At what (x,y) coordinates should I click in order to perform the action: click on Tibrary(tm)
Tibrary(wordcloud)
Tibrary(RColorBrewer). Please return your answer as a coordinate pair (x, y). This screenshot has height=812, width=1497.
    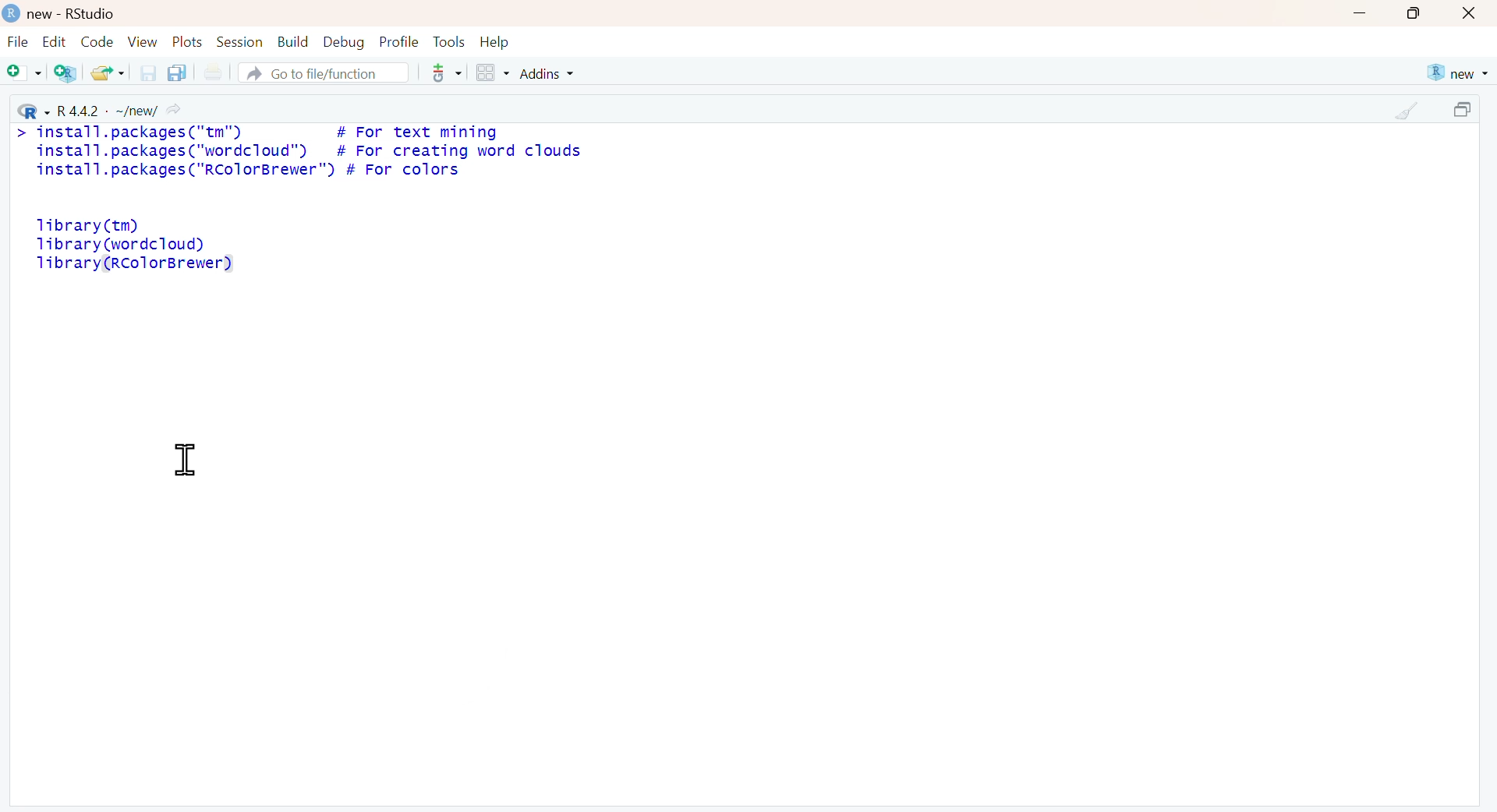
    Looking at the image, I should click on (135, 245).